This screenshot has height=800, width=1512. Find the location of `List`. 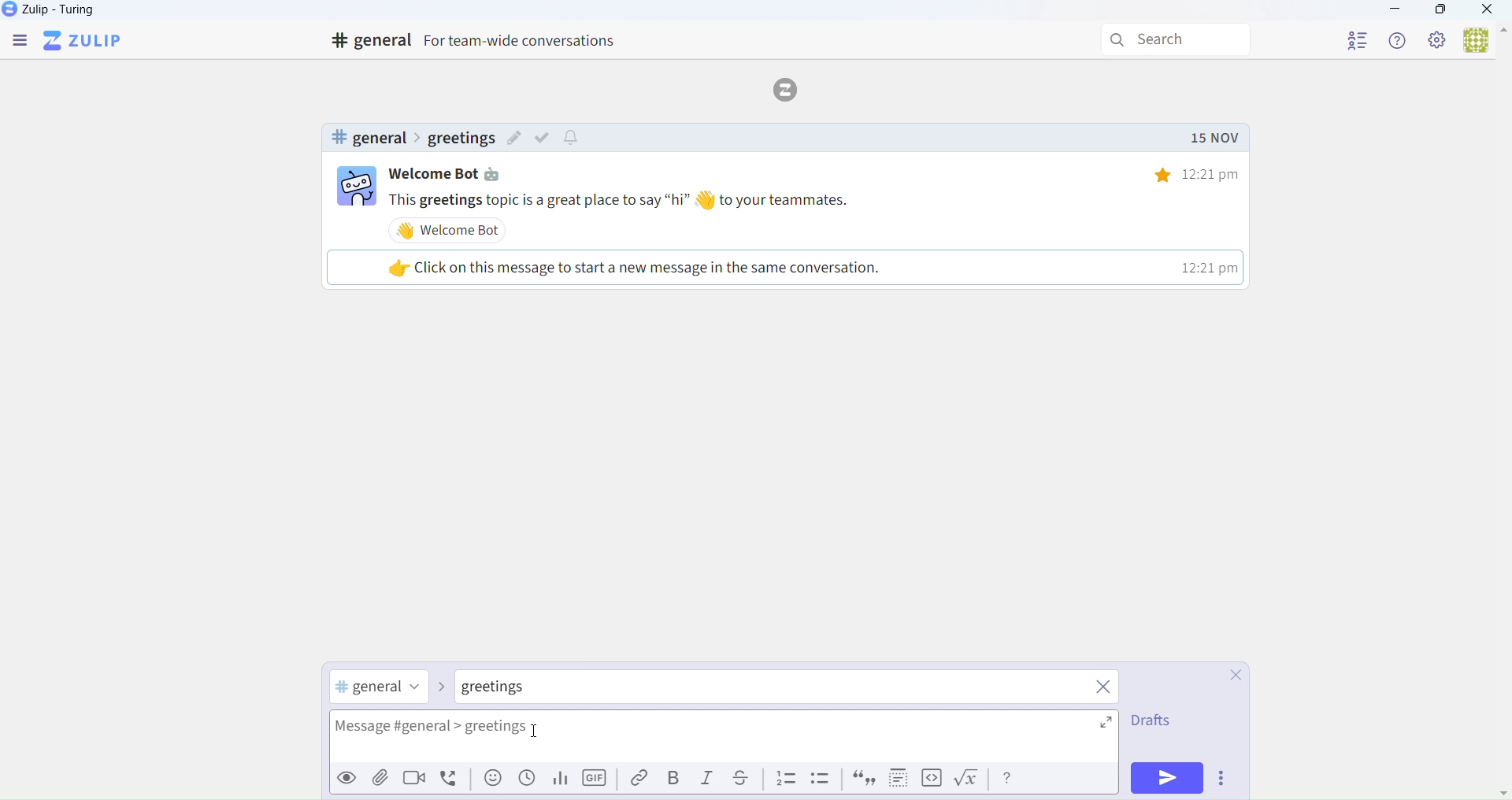

List is located at coordinates (786, 779).